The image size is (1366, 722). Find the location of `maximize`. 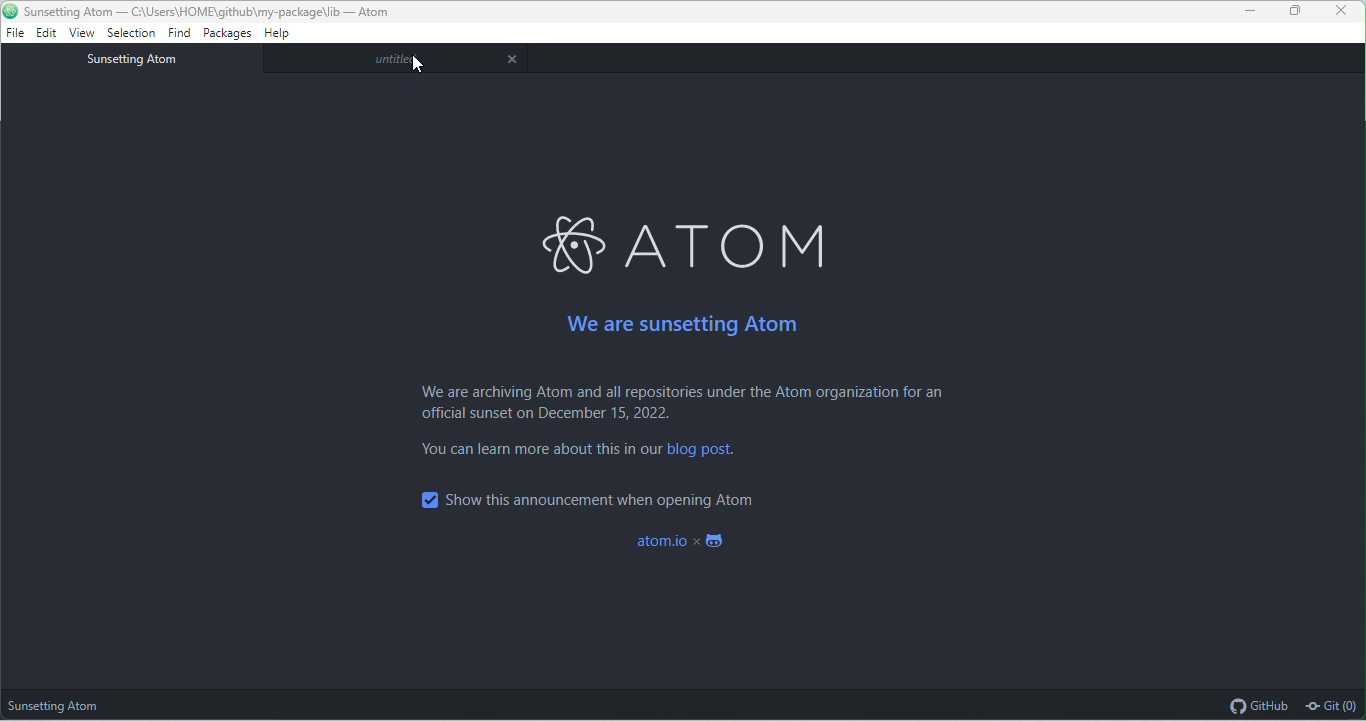

maximize is located at coordinates (1296, 13).